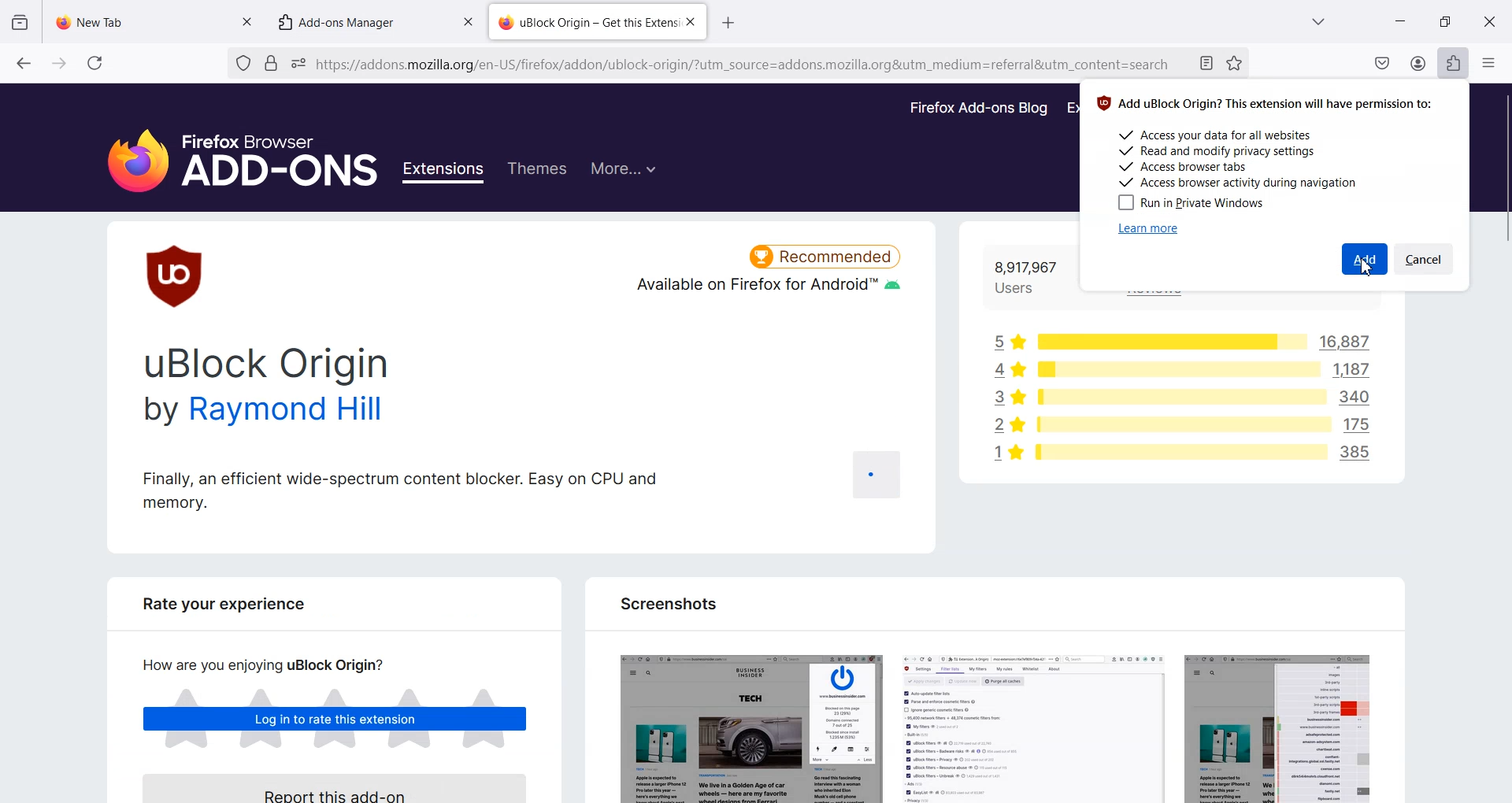  What do you see at coordinates (1400, 21) in the screenshot?
I see `Minimize` at bounding box center [1400, 21].